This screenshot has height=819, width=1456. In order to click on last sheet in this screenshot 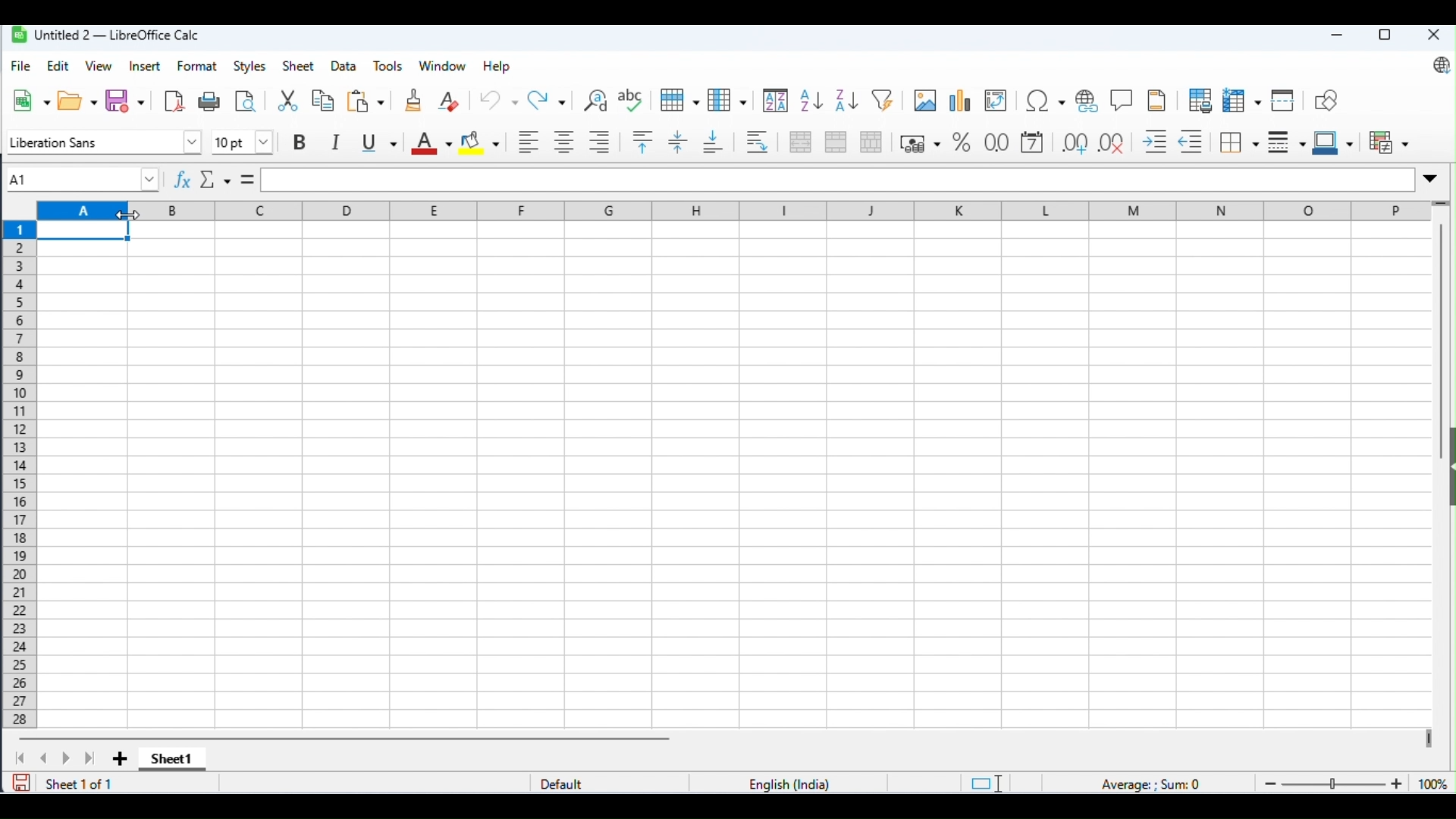, I will do `click(91, 759)`.